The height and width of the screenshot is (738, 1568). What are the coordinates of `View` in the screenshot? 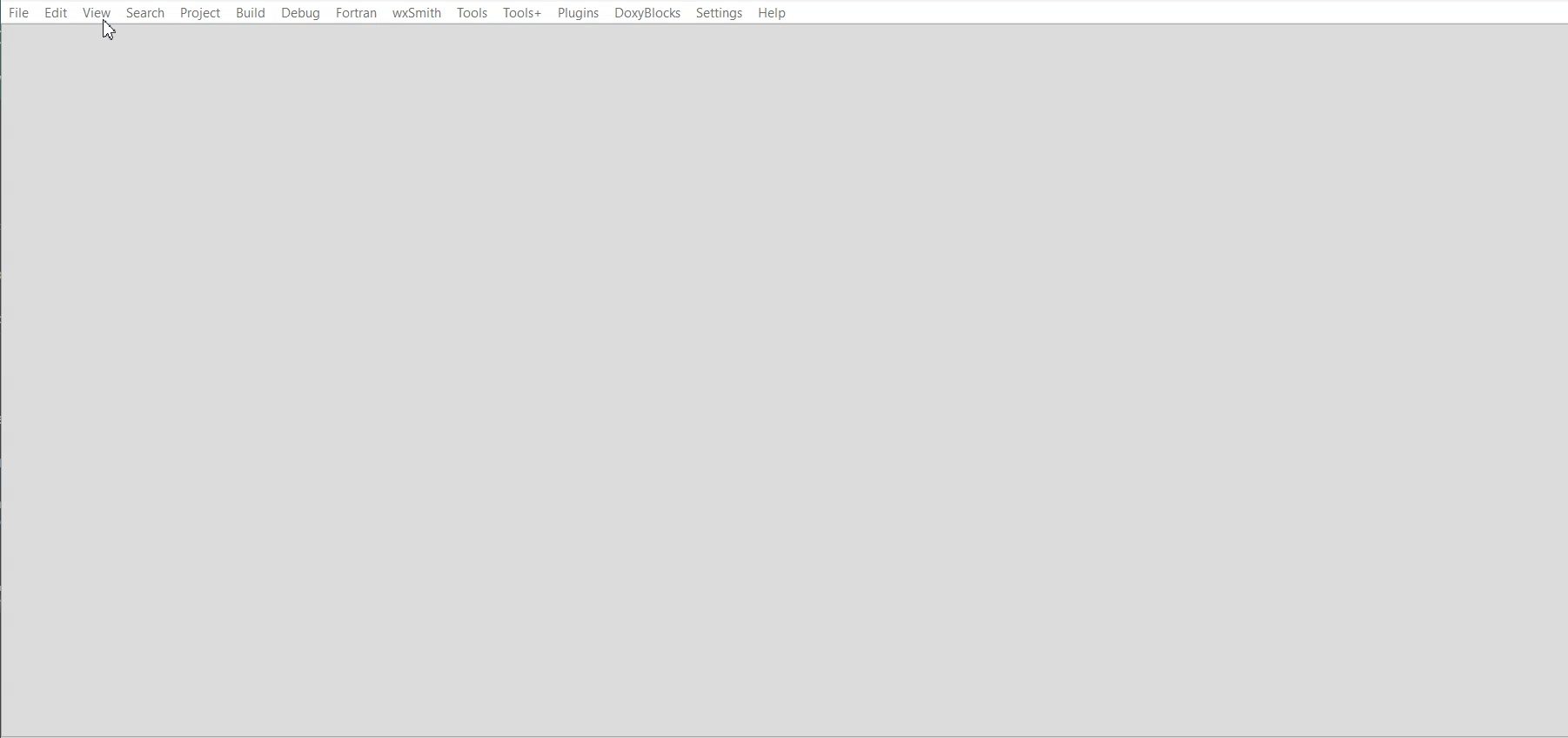 It's located at (97, 12).